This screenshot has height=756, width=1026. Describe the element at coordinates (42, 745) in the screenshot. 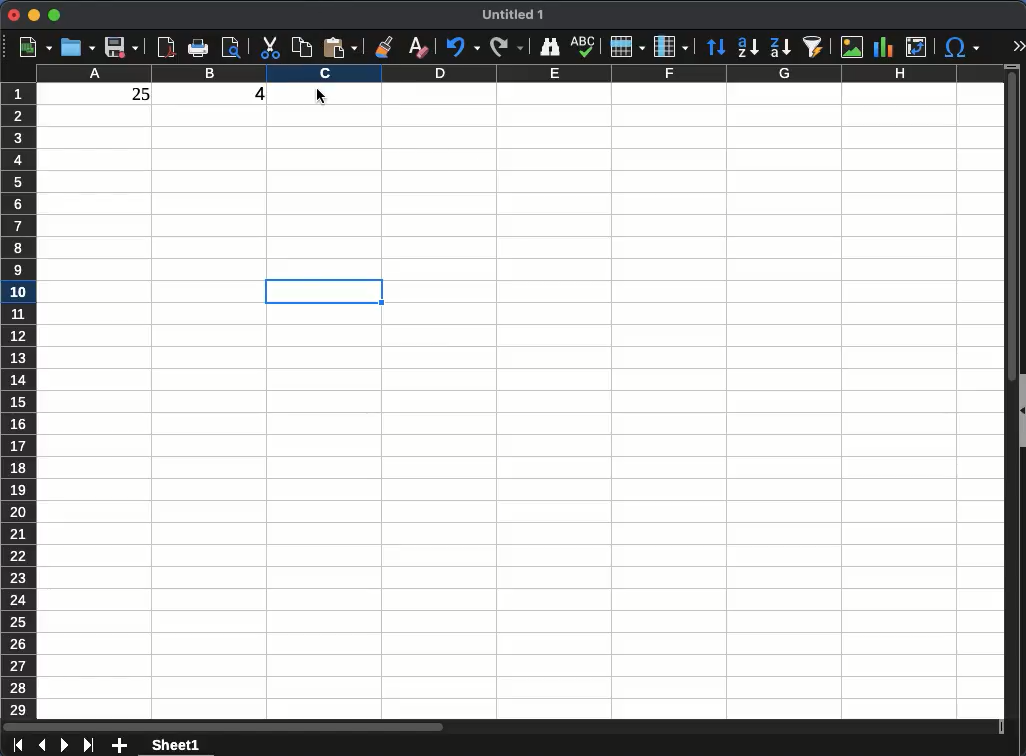

I see `previous sheet` at that location.